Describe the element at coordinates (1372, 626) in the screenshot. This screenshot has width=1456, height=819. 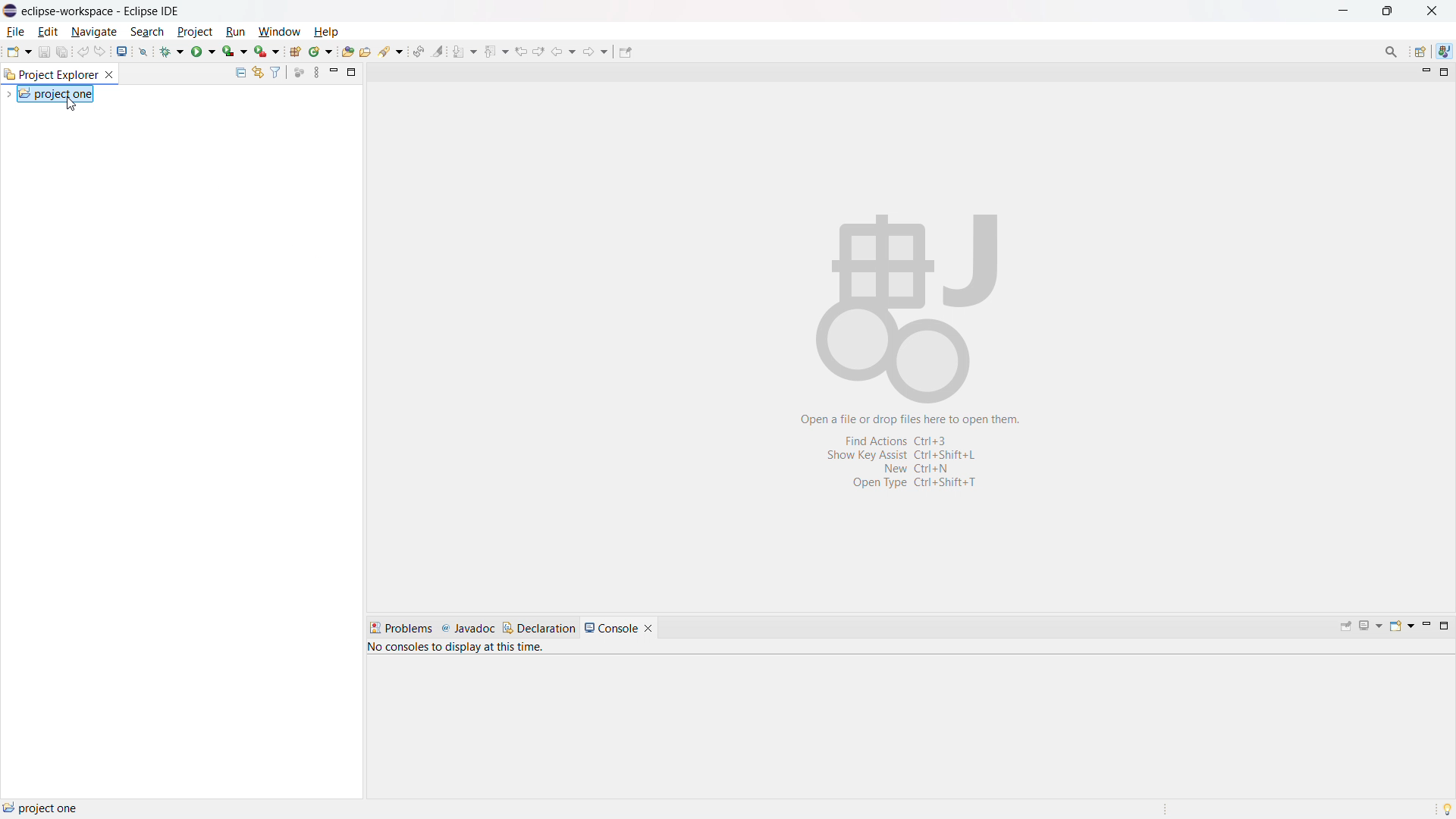
I see `display selected console` at that location.